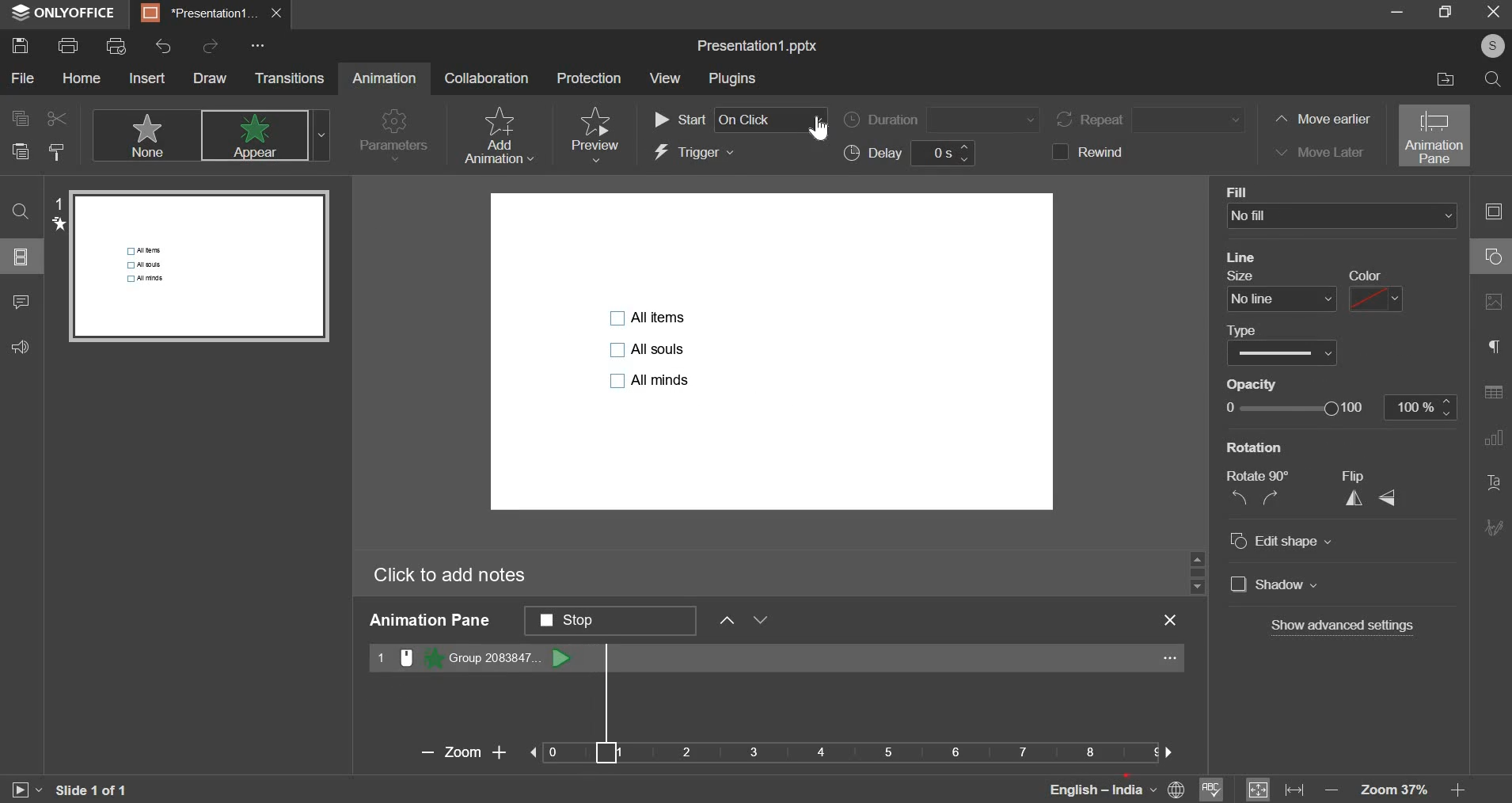 The height and width of the screenshot is (803, 1512). I want to click on rewind, so click(1095, 151).